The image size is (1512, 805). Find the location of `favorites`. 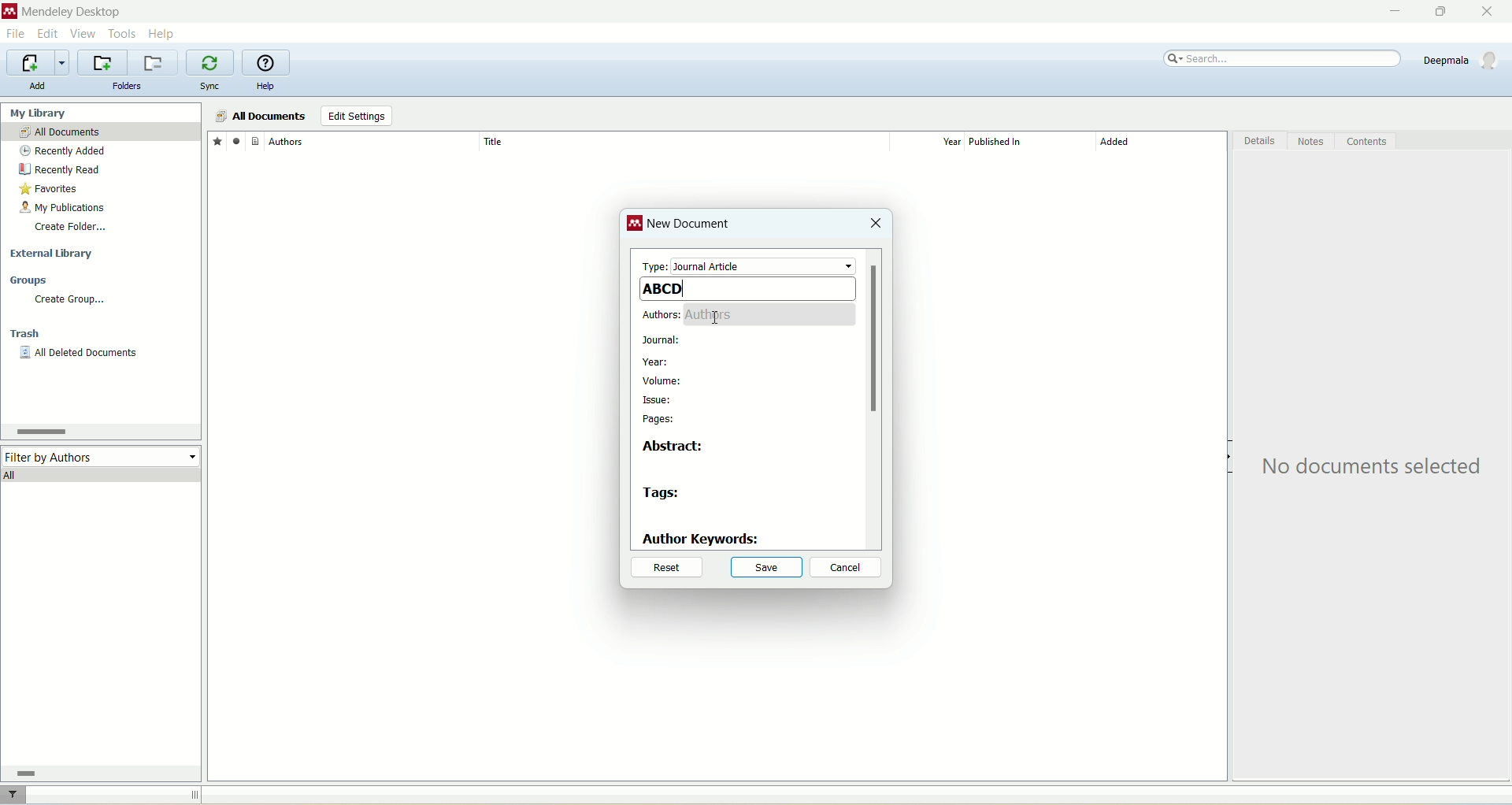

favorites is located at coordinates (50, 191).